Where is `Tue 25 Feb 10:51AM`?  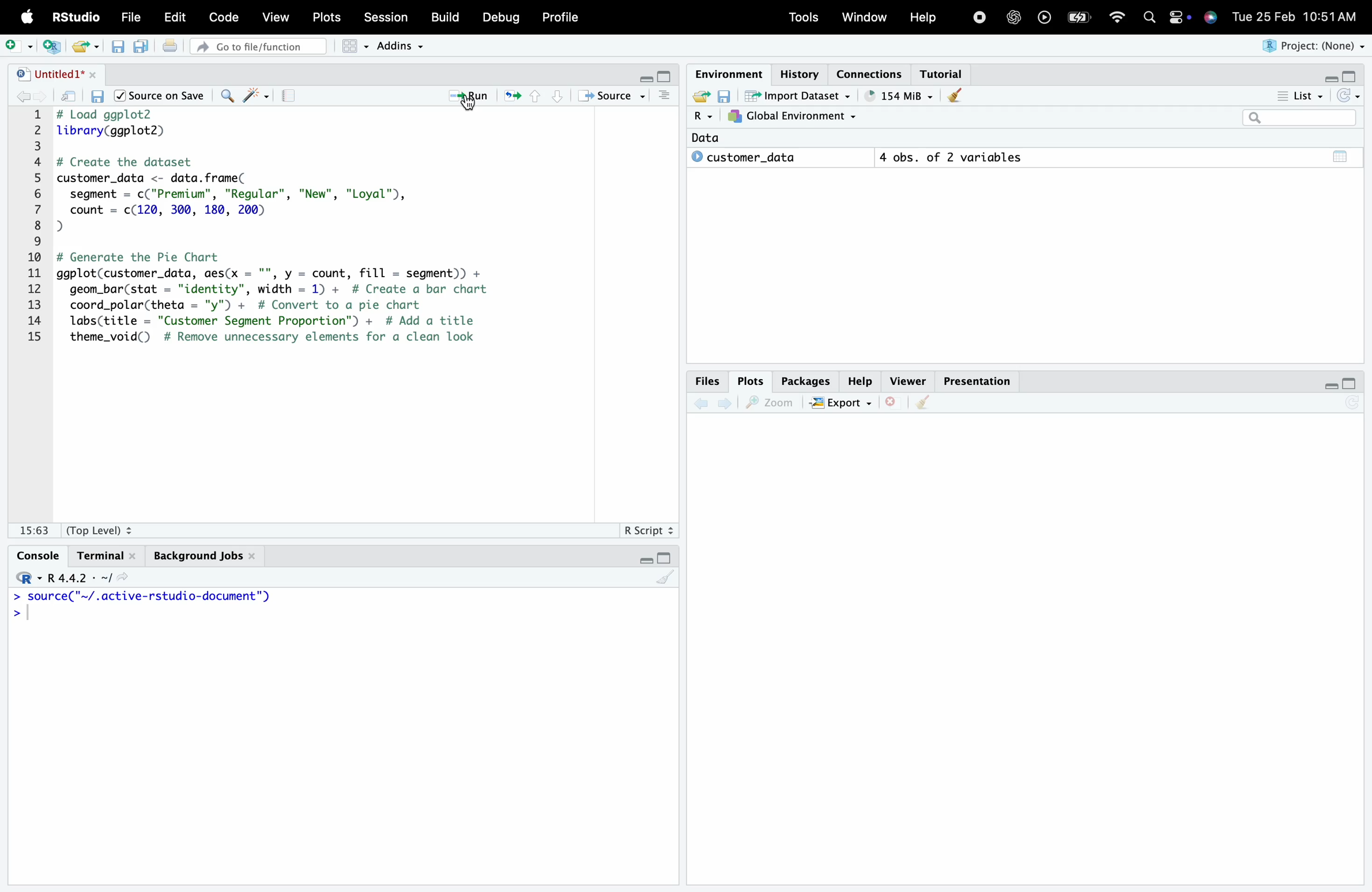
Tue 25 Feb 10:51AM is located at coordinates (1299, 16).